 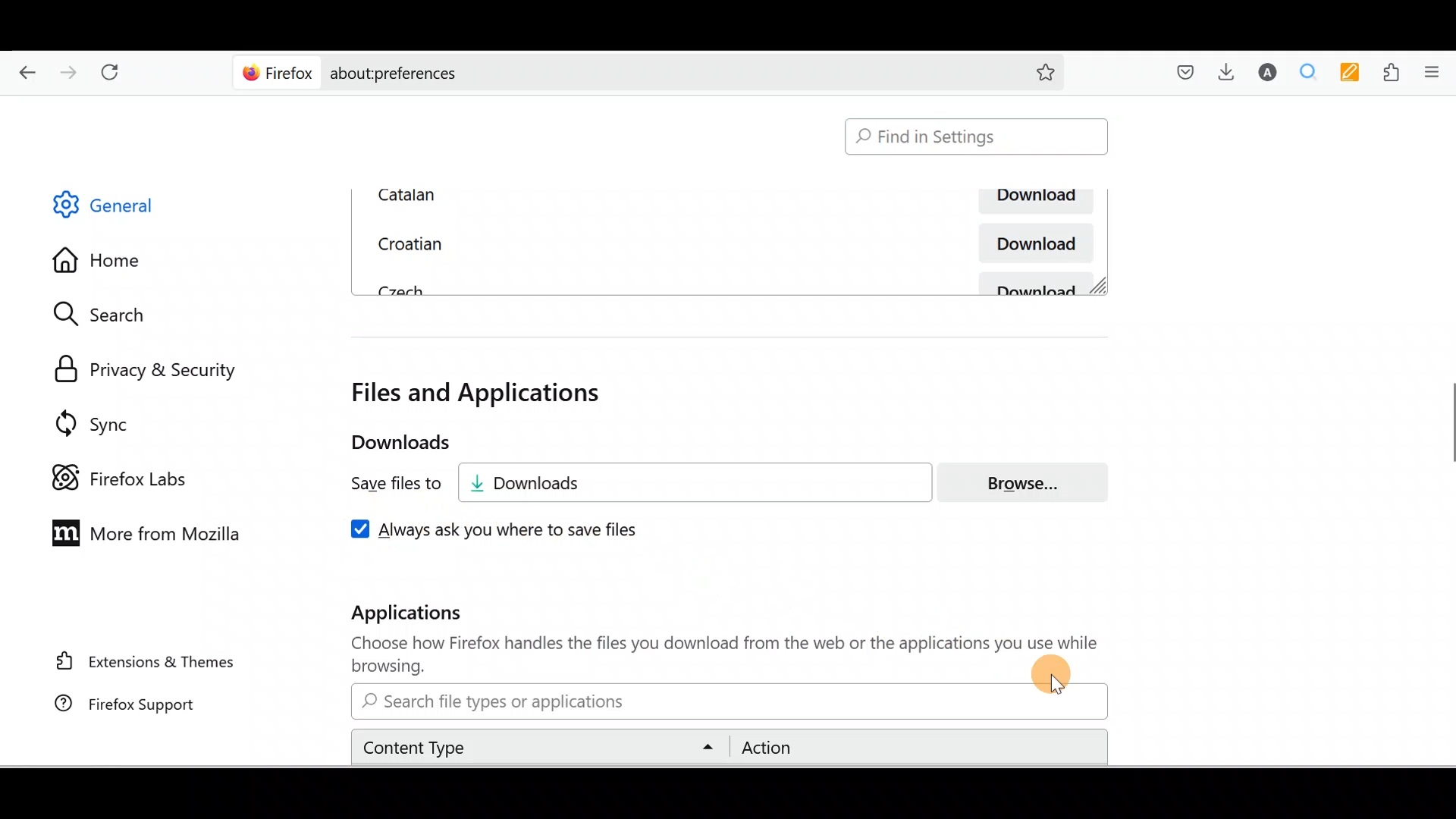 What do you see at coordinates (706, 482) in the screenshot?
I see `Downloads` at bounding box center [706, 482].